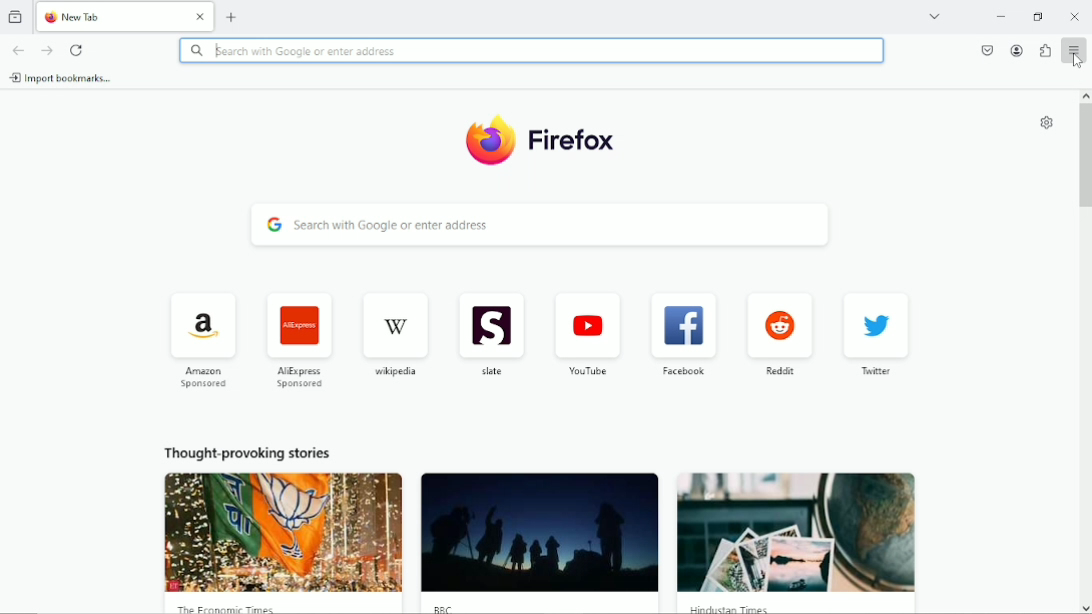  Describe the element at coordinates (1085, 96) in the screenshot. I see `scroll up` at that location.